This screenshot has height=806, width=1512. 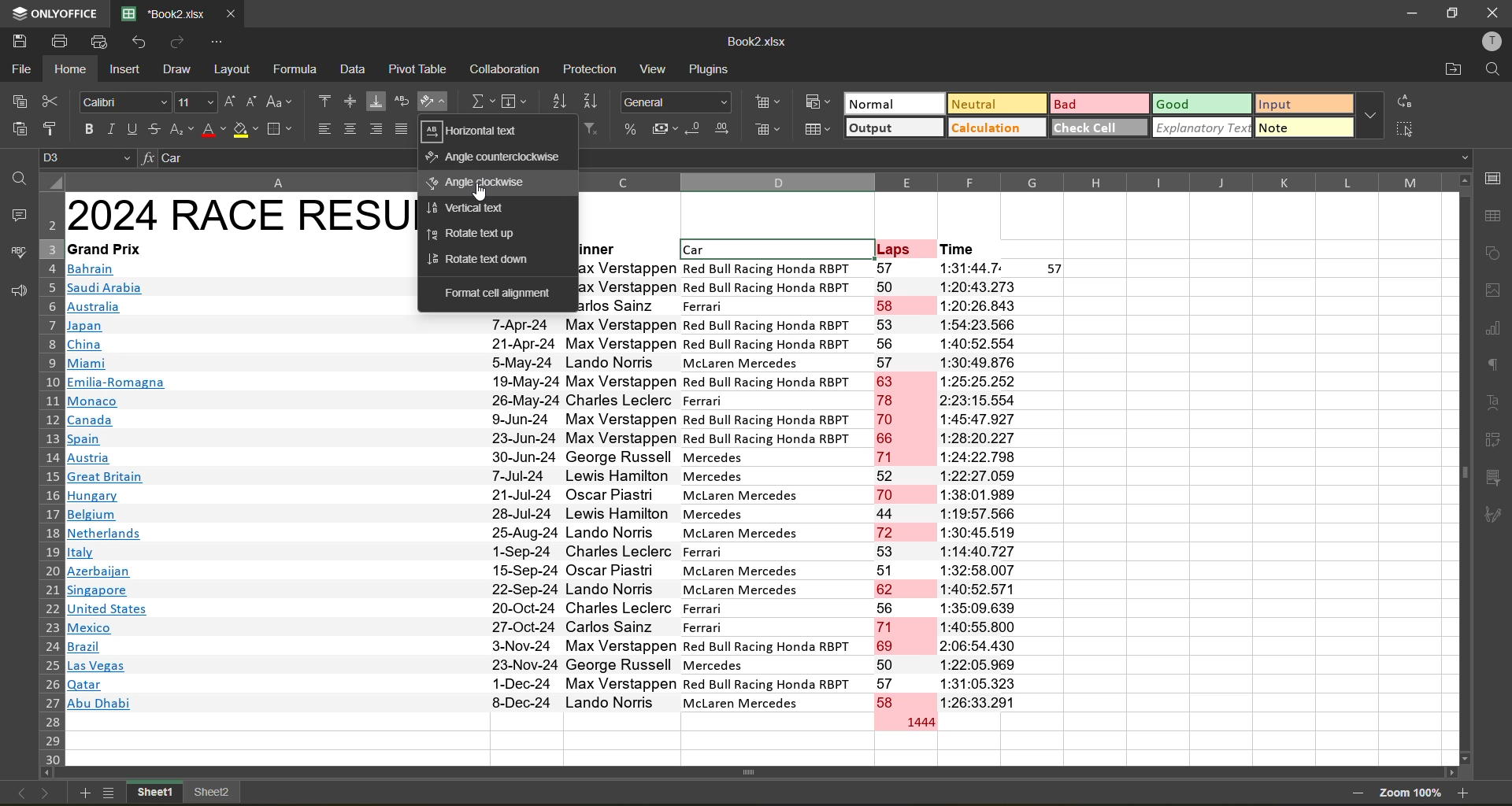 What do you see at coordinates (50, 181) in the screenshot?
I see `Select all` at bounding box center [50, 181].